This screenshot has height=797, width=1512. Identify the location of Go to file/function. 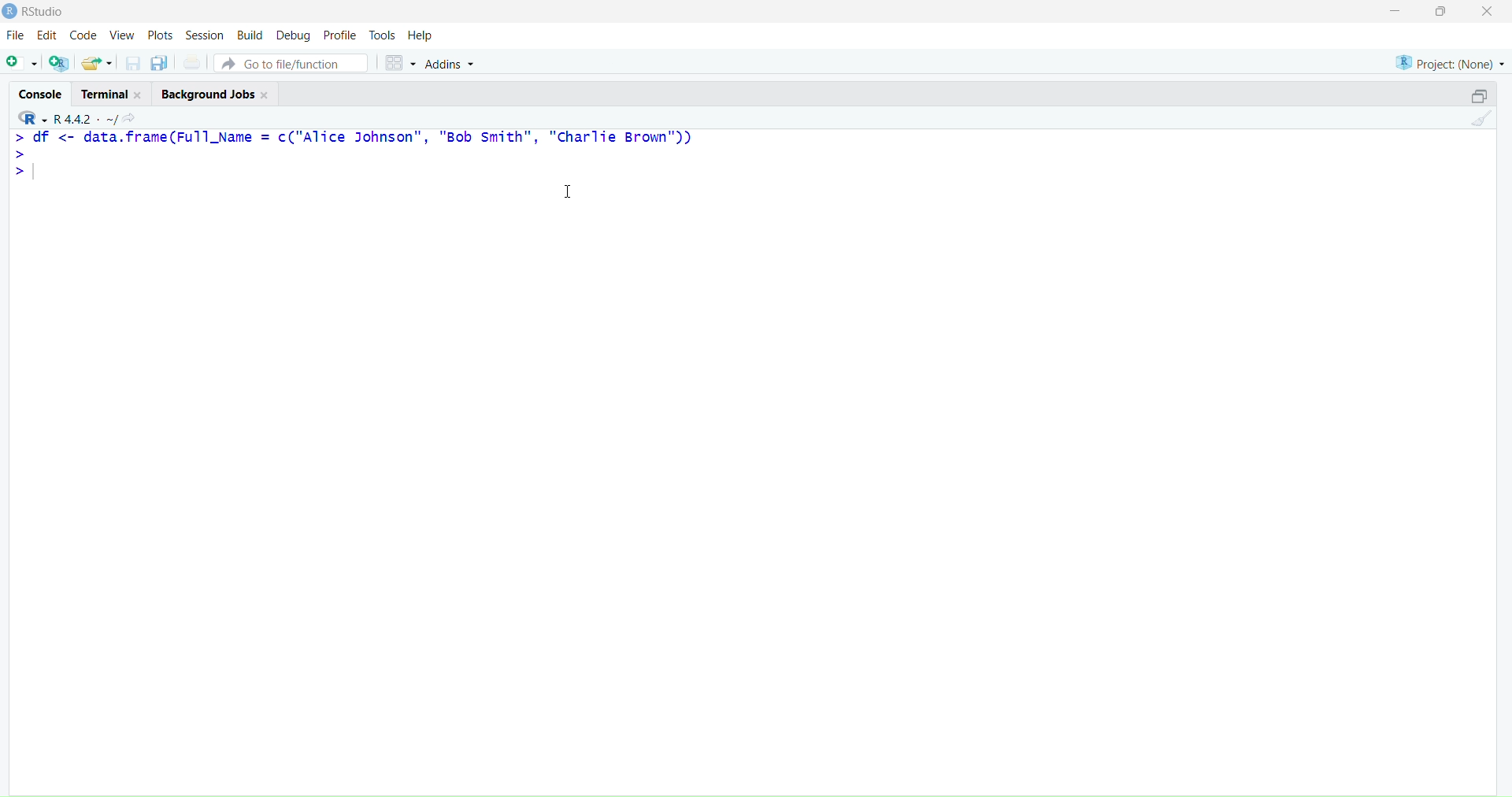
(291, 62).